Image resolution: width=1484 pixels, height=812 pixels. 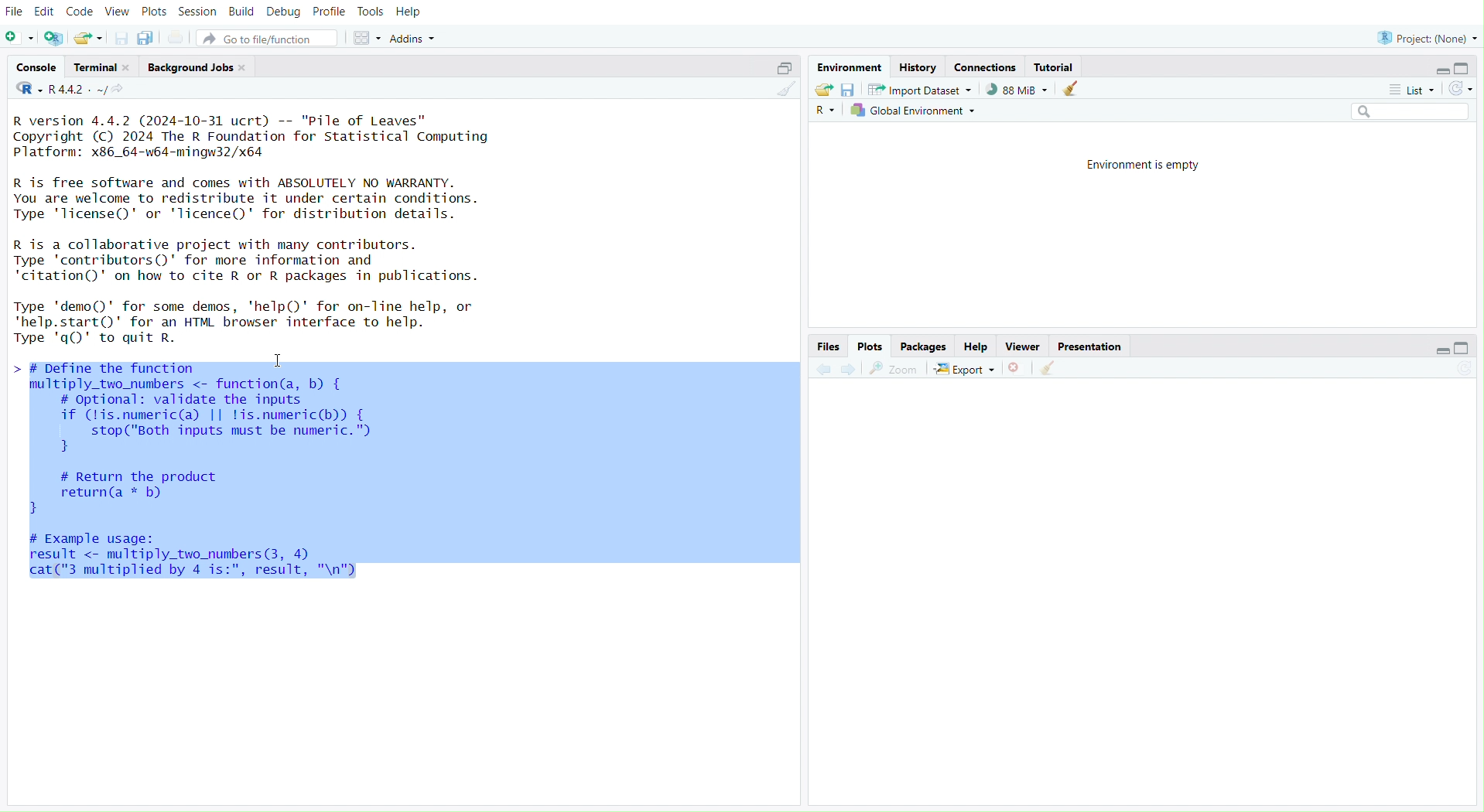 I want to click on File, so click(x=16, y=11).